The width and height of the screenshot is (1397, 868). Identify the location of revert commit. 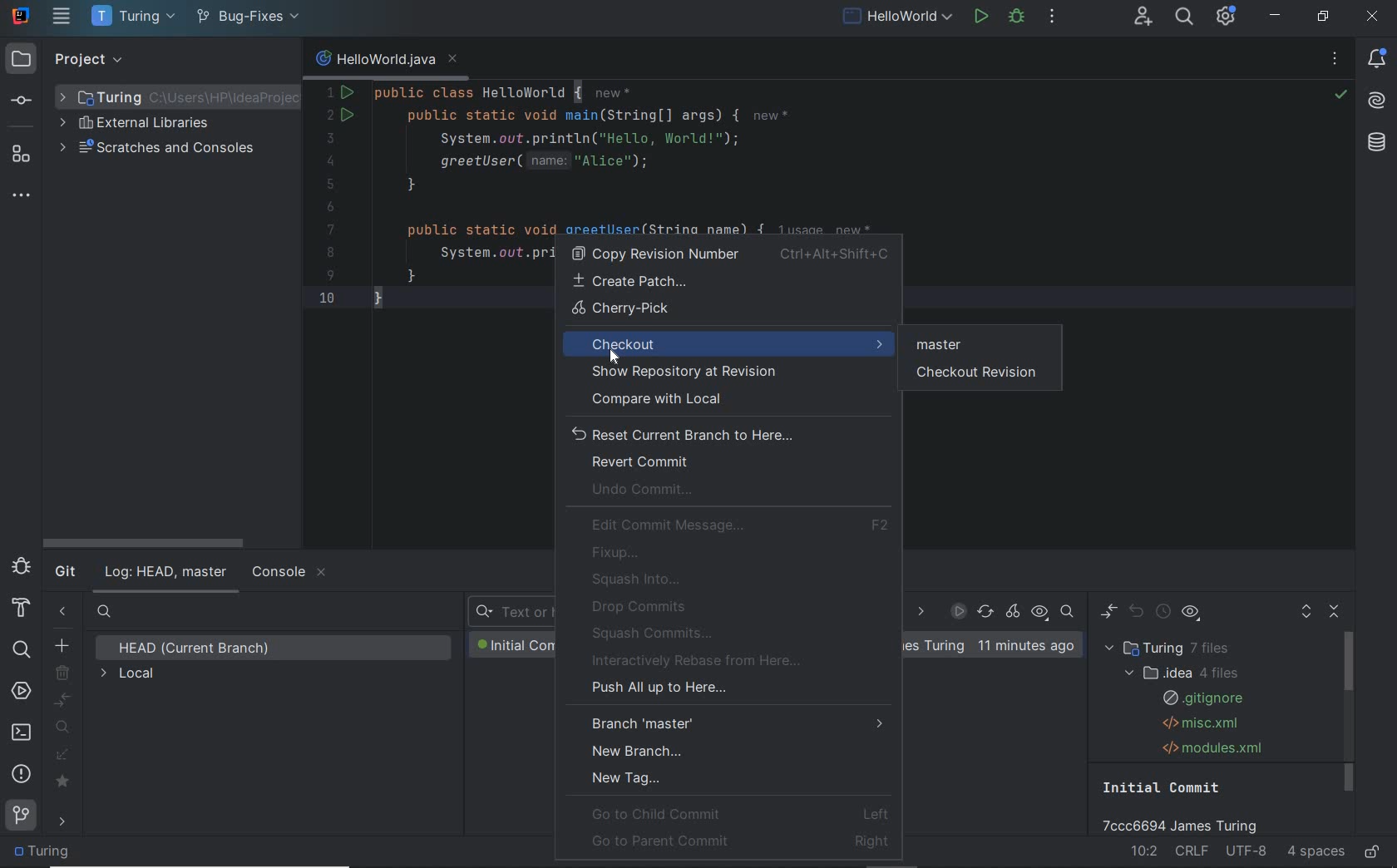
(639, 462).